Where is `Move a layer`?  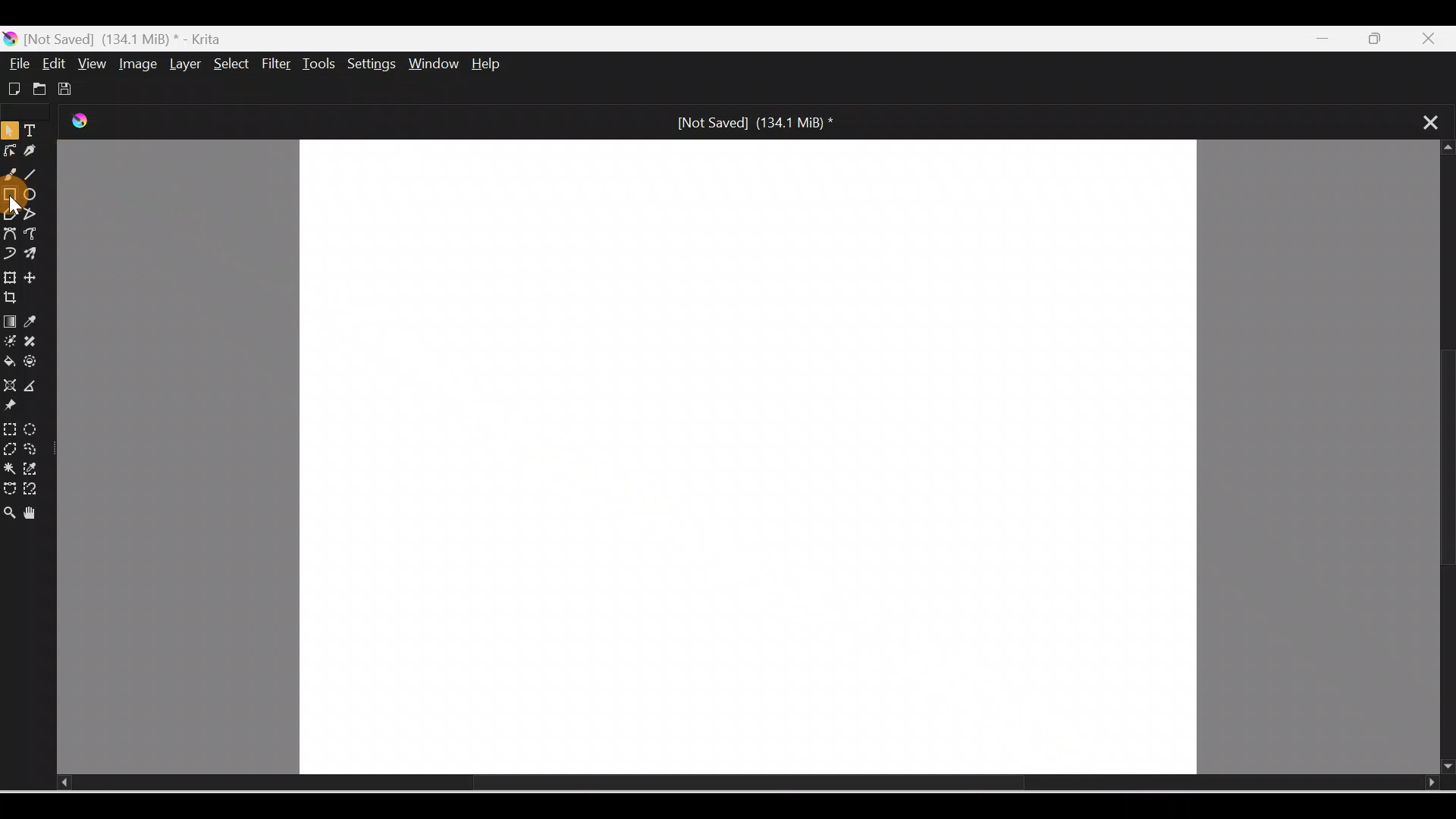 Move a layer is located at coordinates (37, 278).